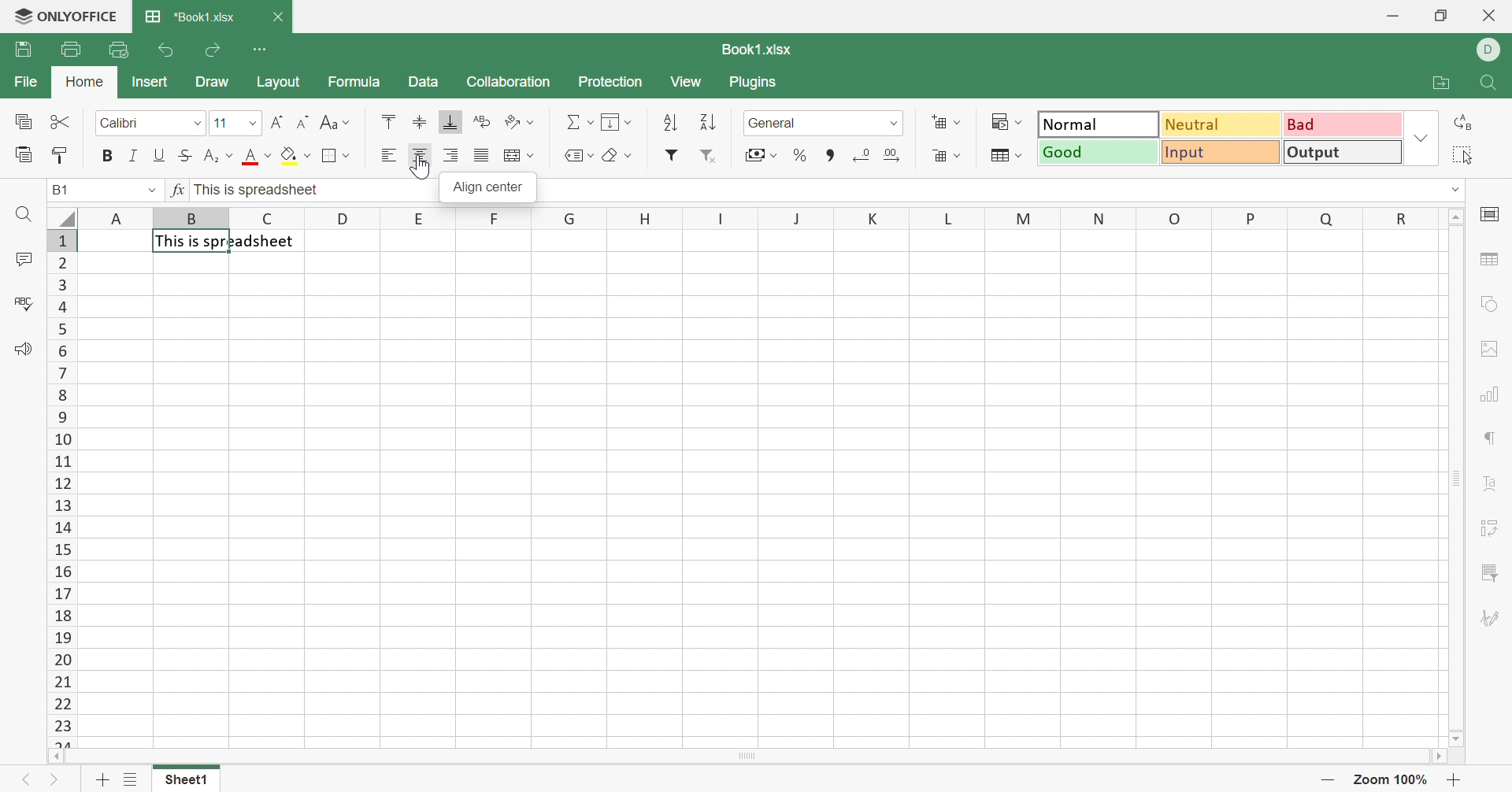 Image resolution: width=1512 pixels, height=792 pixels. I want to click on Drop Down, so click(347, 155).